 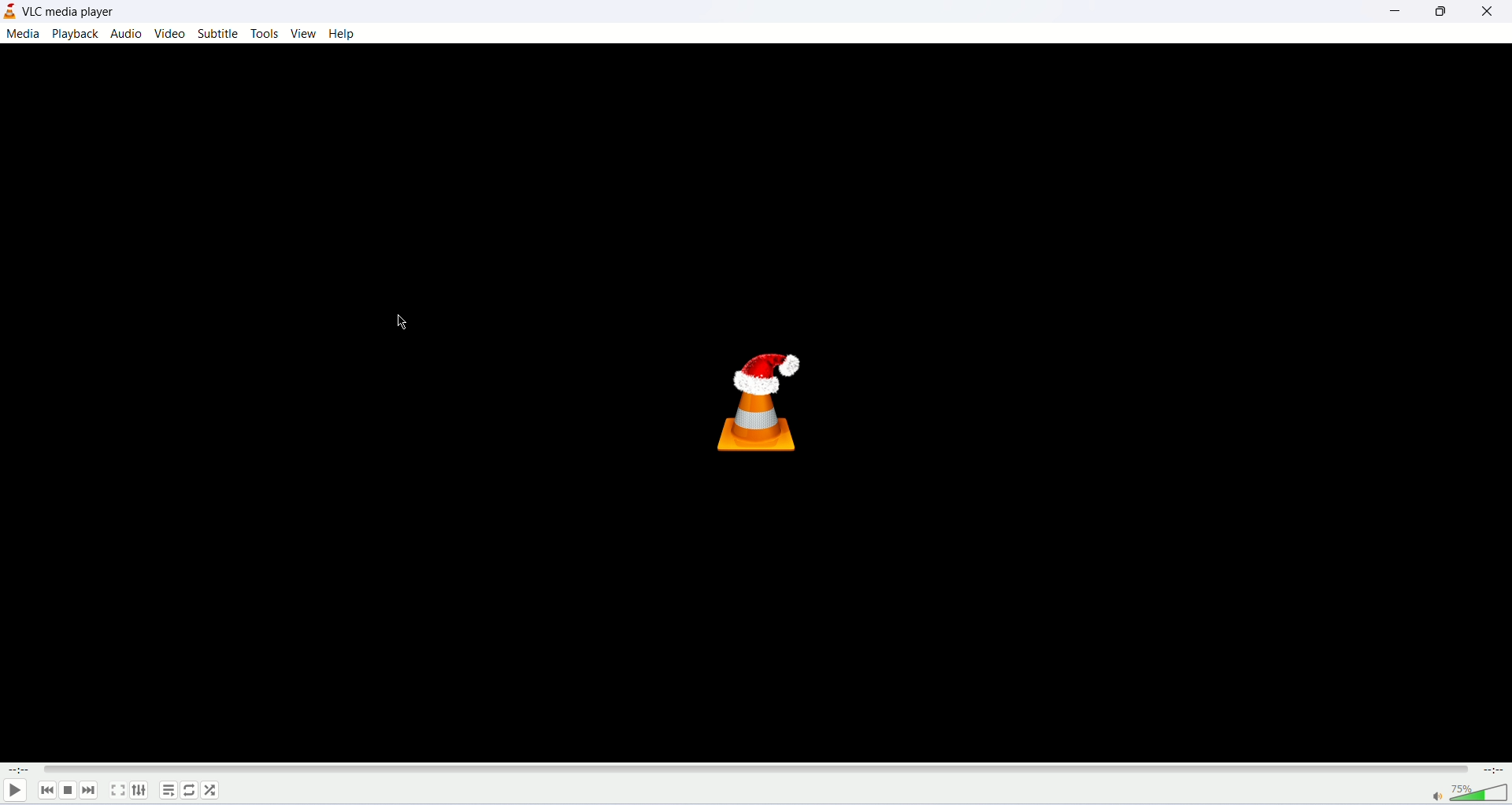 What do you see at coordinates (47, 790) in the screenshot?
I see `previous` at bounding box center [47, 790].